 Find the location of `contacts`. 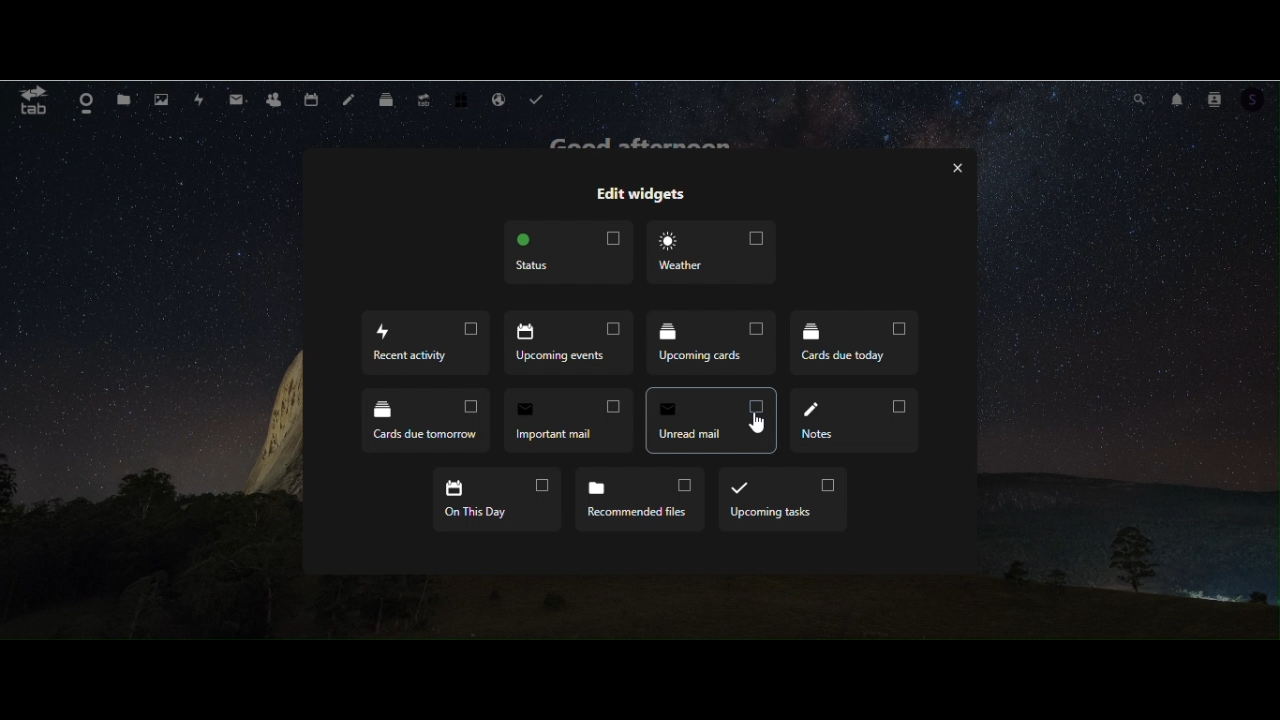

contacts is located at coordinates (274, 100).